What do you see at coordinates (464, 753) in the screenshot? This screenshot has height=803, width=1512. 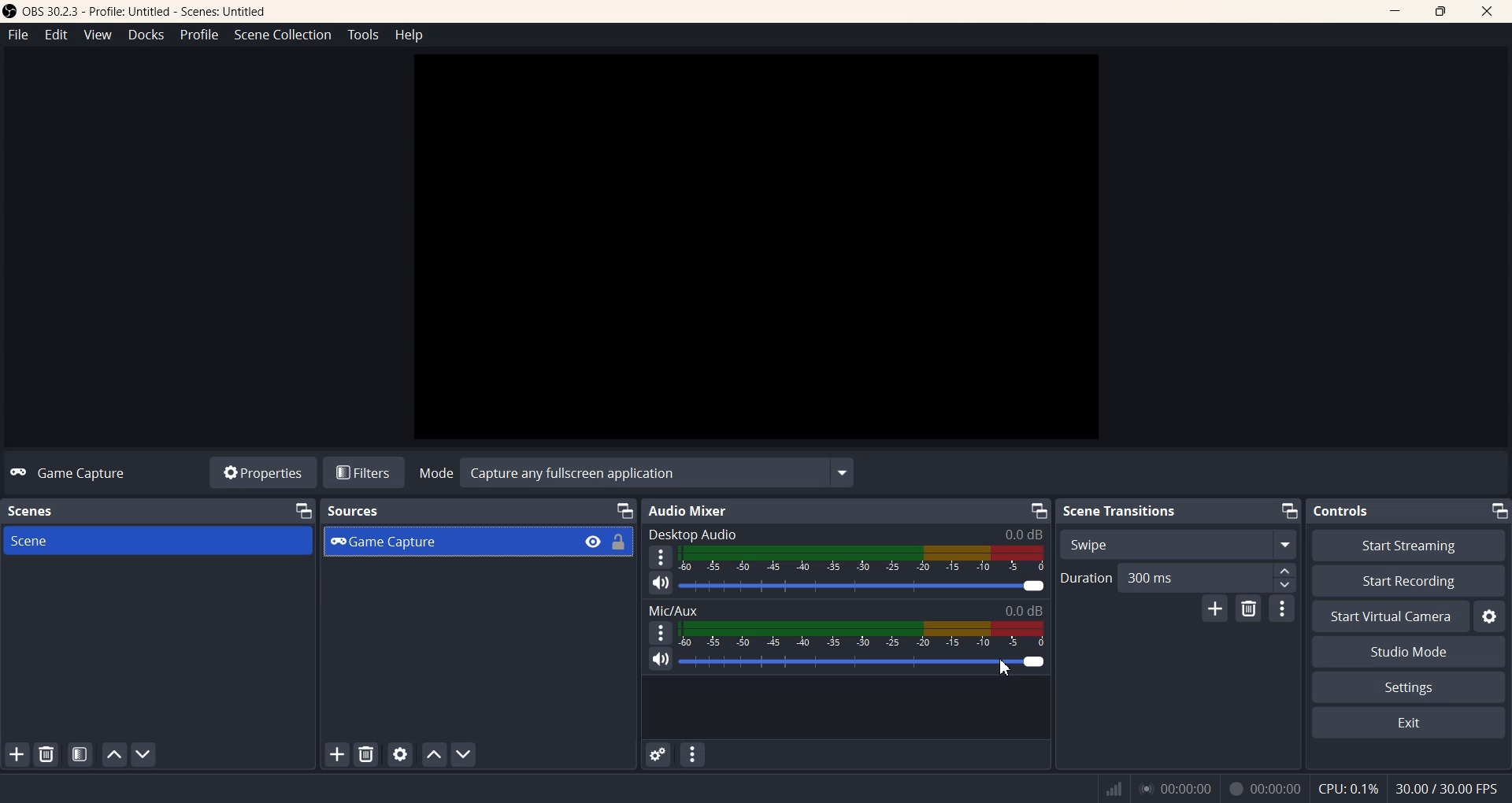 I see `Move Source Down` at bounding box center [464, 753].